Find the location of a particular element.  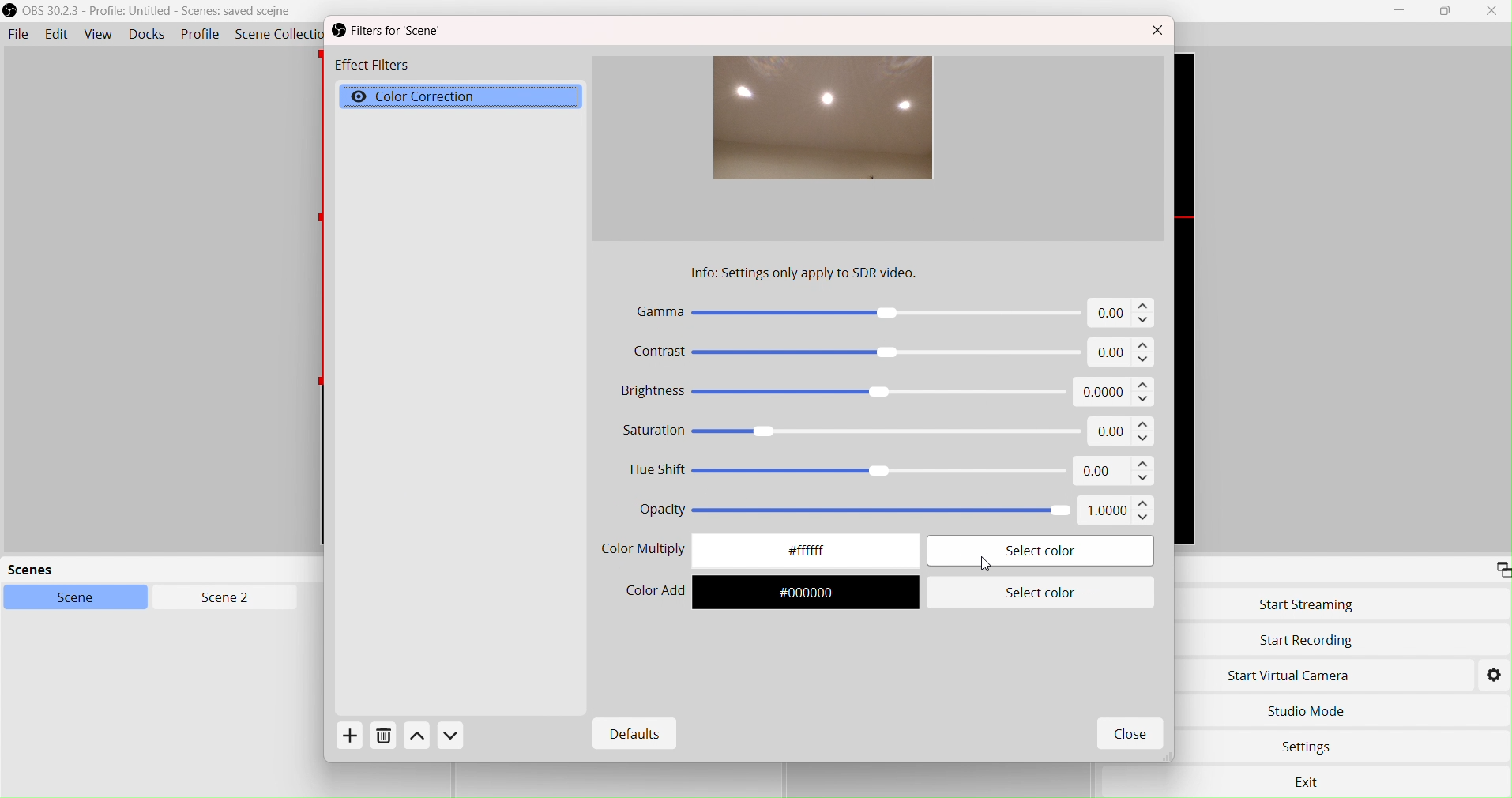

cursor is located at coordinates (980, 567).